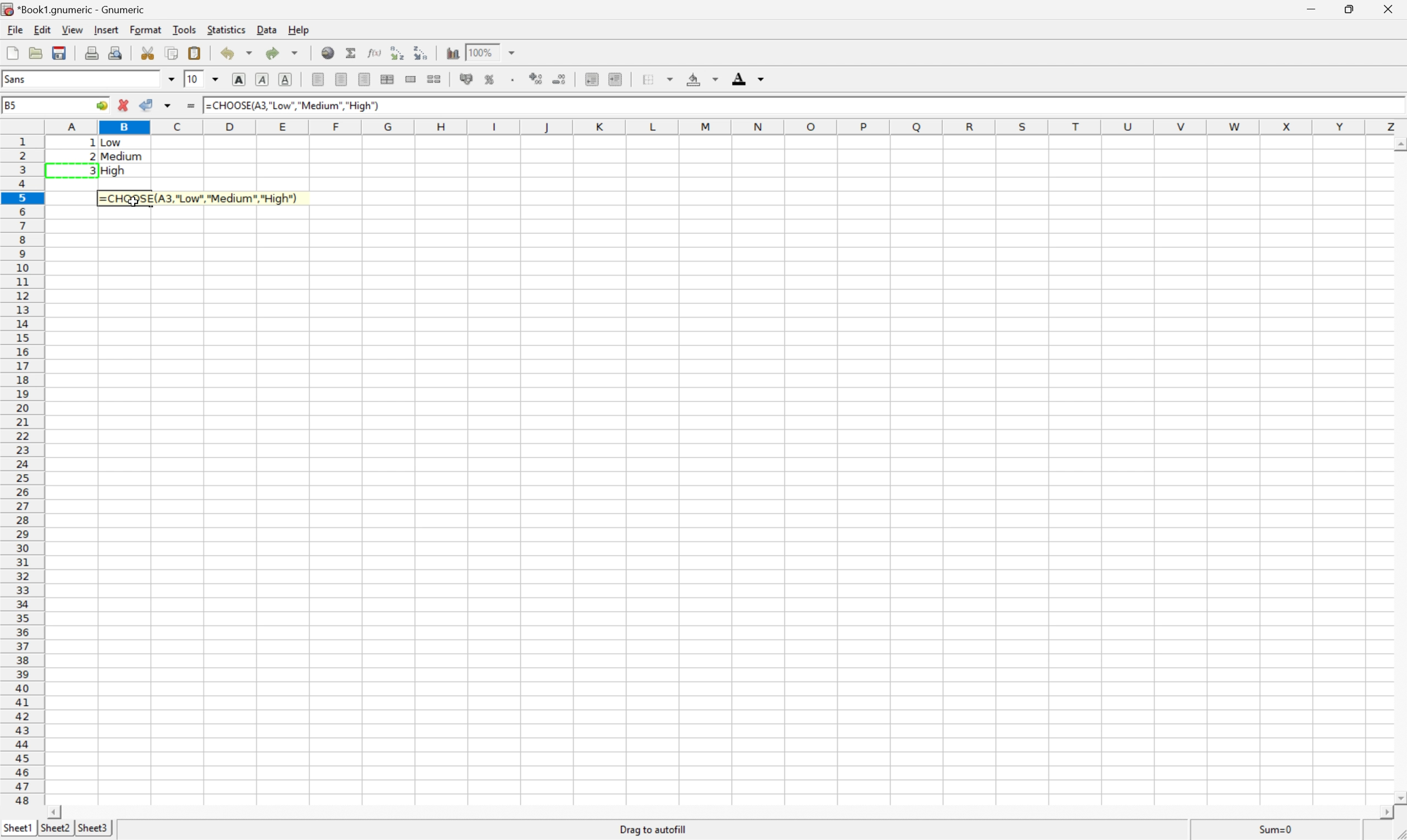 This screenshot has height=840, width=1407. I want to click on Save current workbook, so click(60, 53).